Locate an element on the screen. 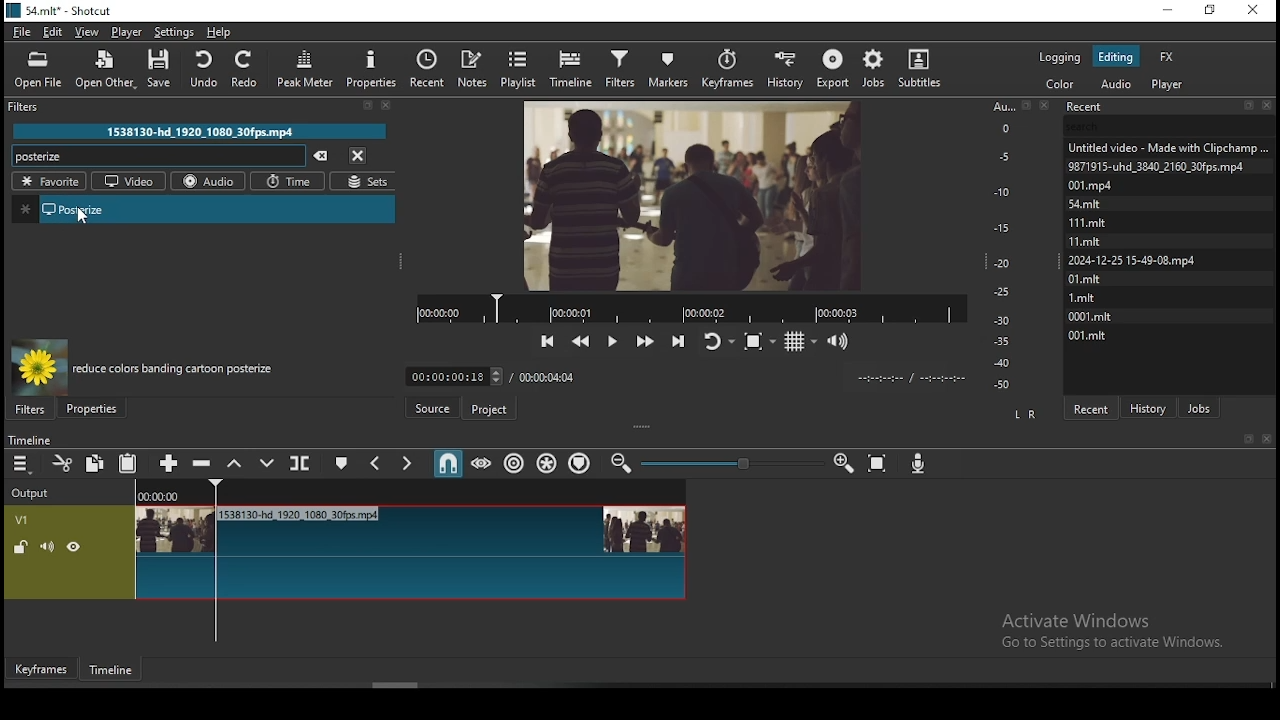 The width and height of the screenshot is (1280, 720). time is located at coordinates (285, 182).